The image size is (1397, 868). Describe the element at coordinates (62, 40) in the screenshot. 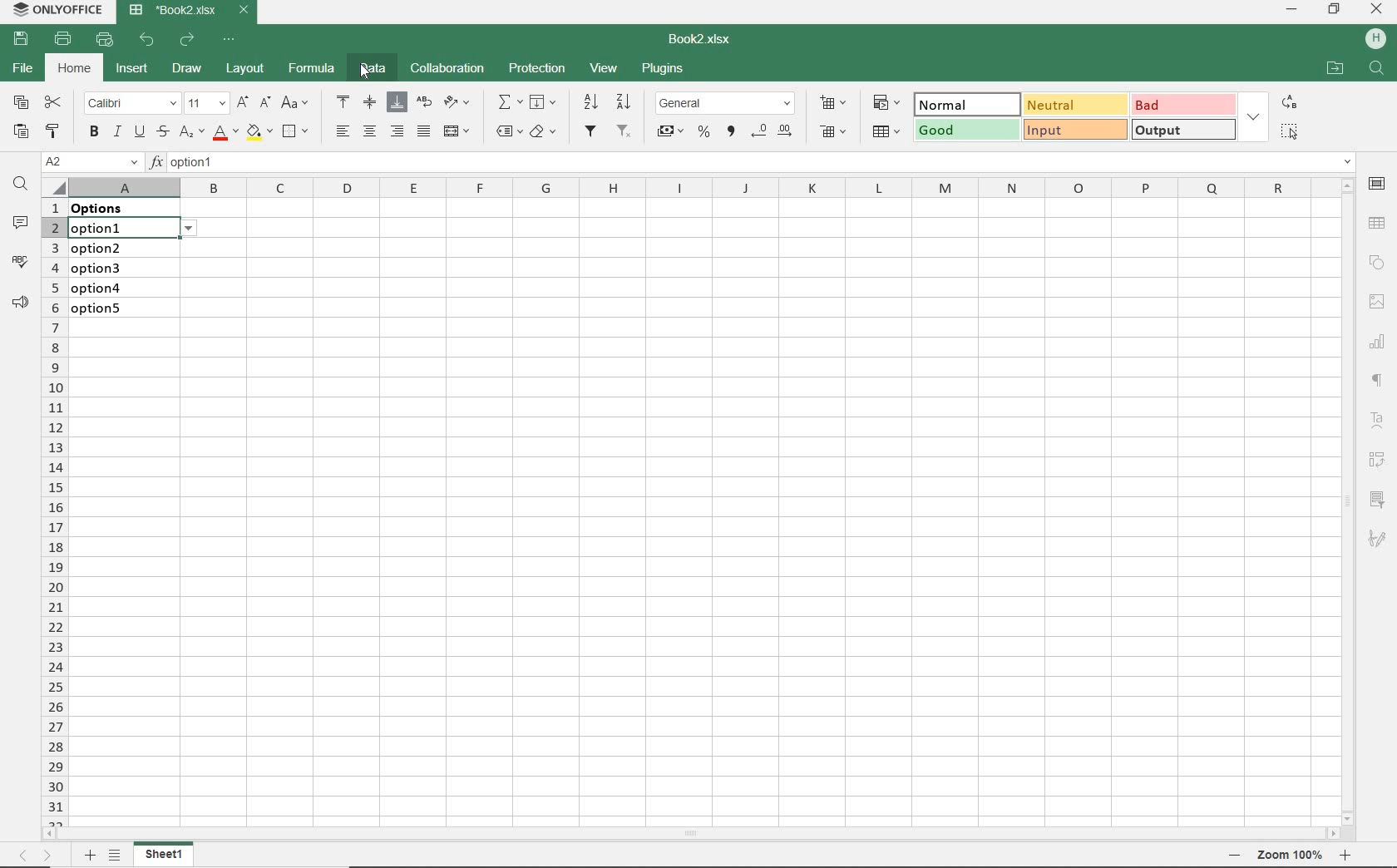

I see `PRINT` at that location.